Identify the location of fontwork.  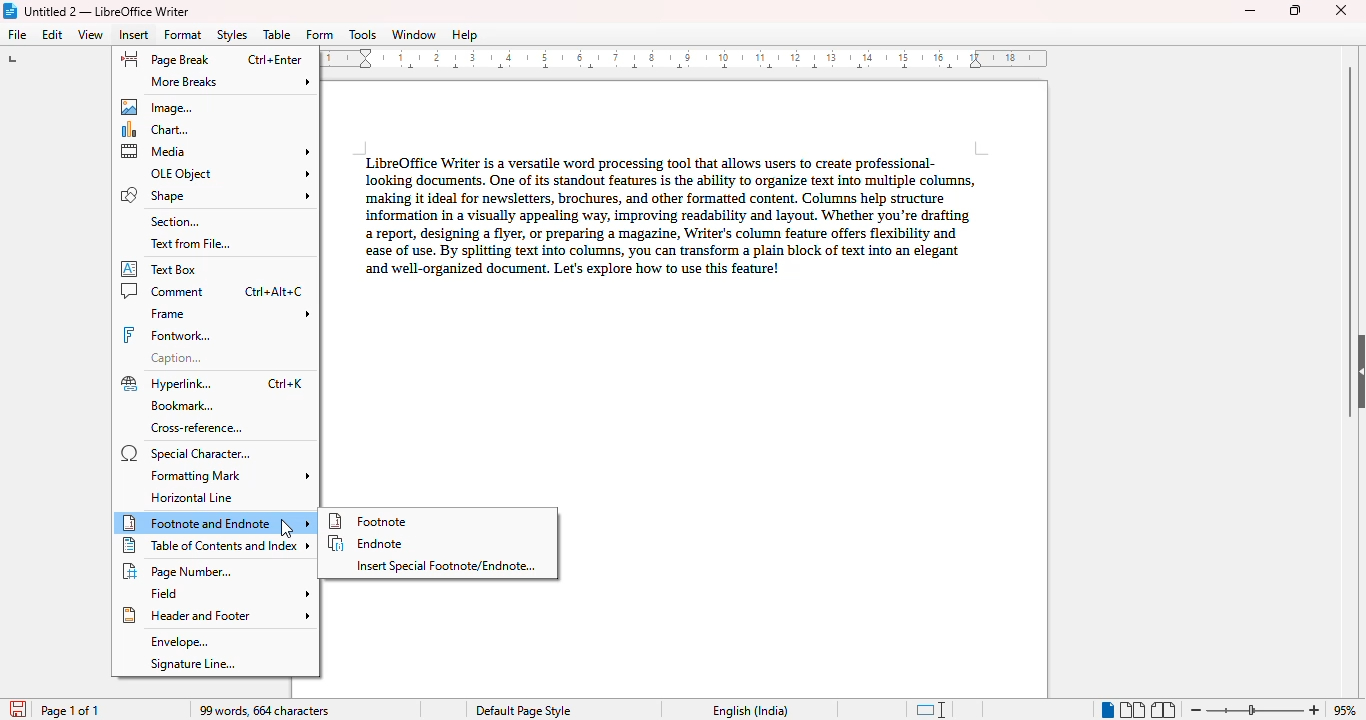
(167, 336).